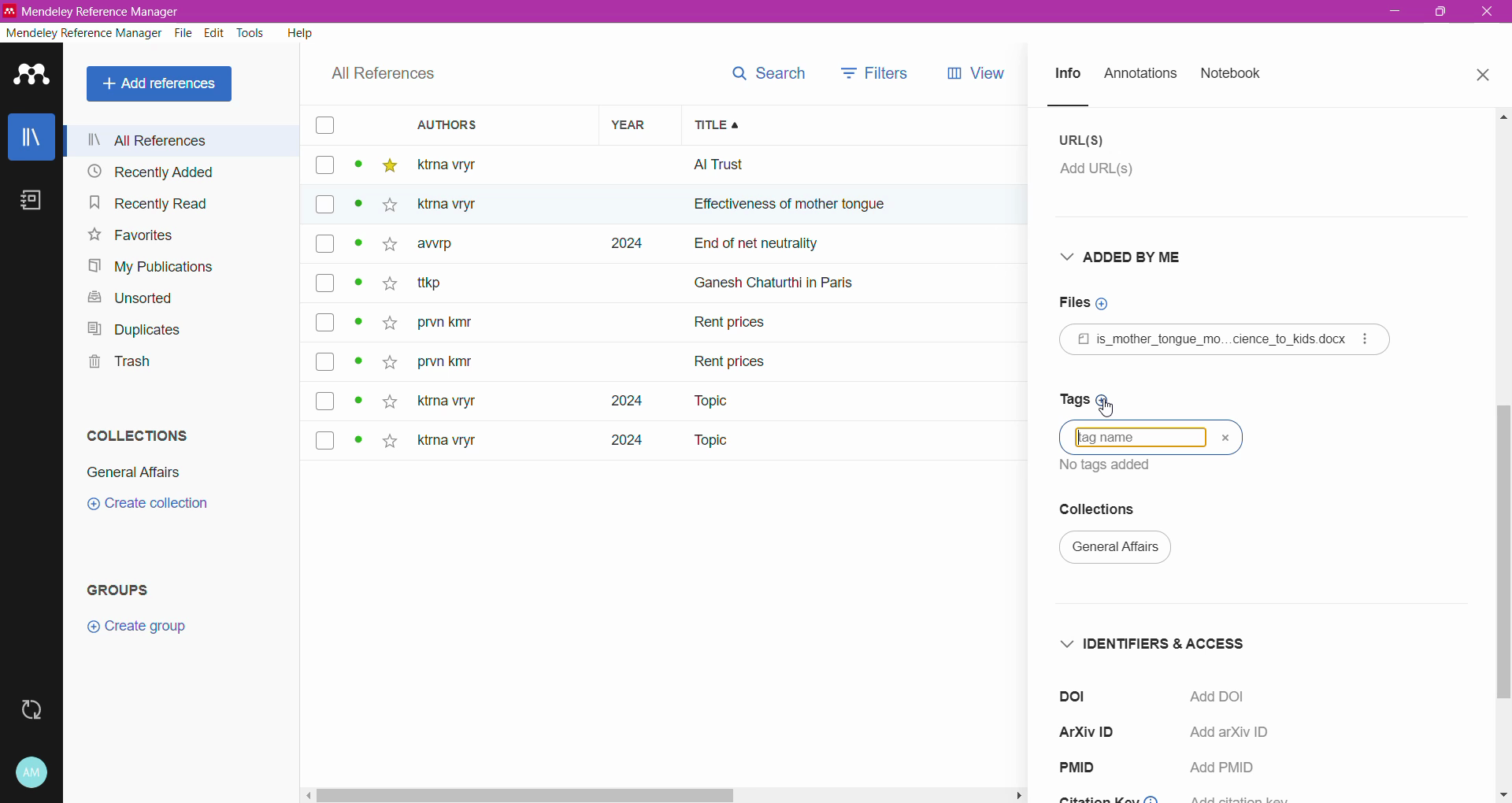 The image size is (1512, 803). What do you see at coordinates (1223, 698) in the screenshot?
I see `Click to Add DOI` at bounding box center [1223, 698].